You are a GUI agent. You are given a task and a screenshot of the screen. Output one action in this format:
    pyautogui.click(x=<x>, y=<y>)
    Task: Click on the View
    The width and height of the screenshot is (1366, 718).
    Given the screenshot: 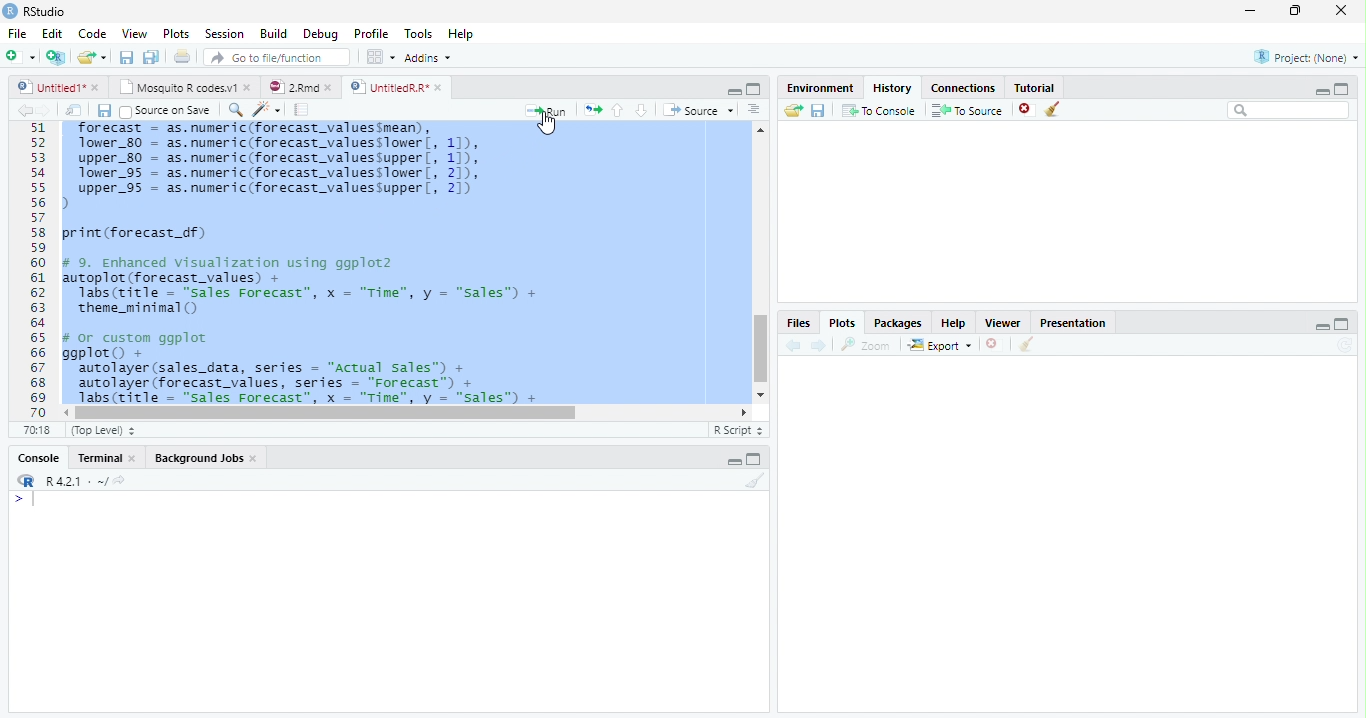 What is the action you would take?
    pyautogui.click(x=133, y=34)
    